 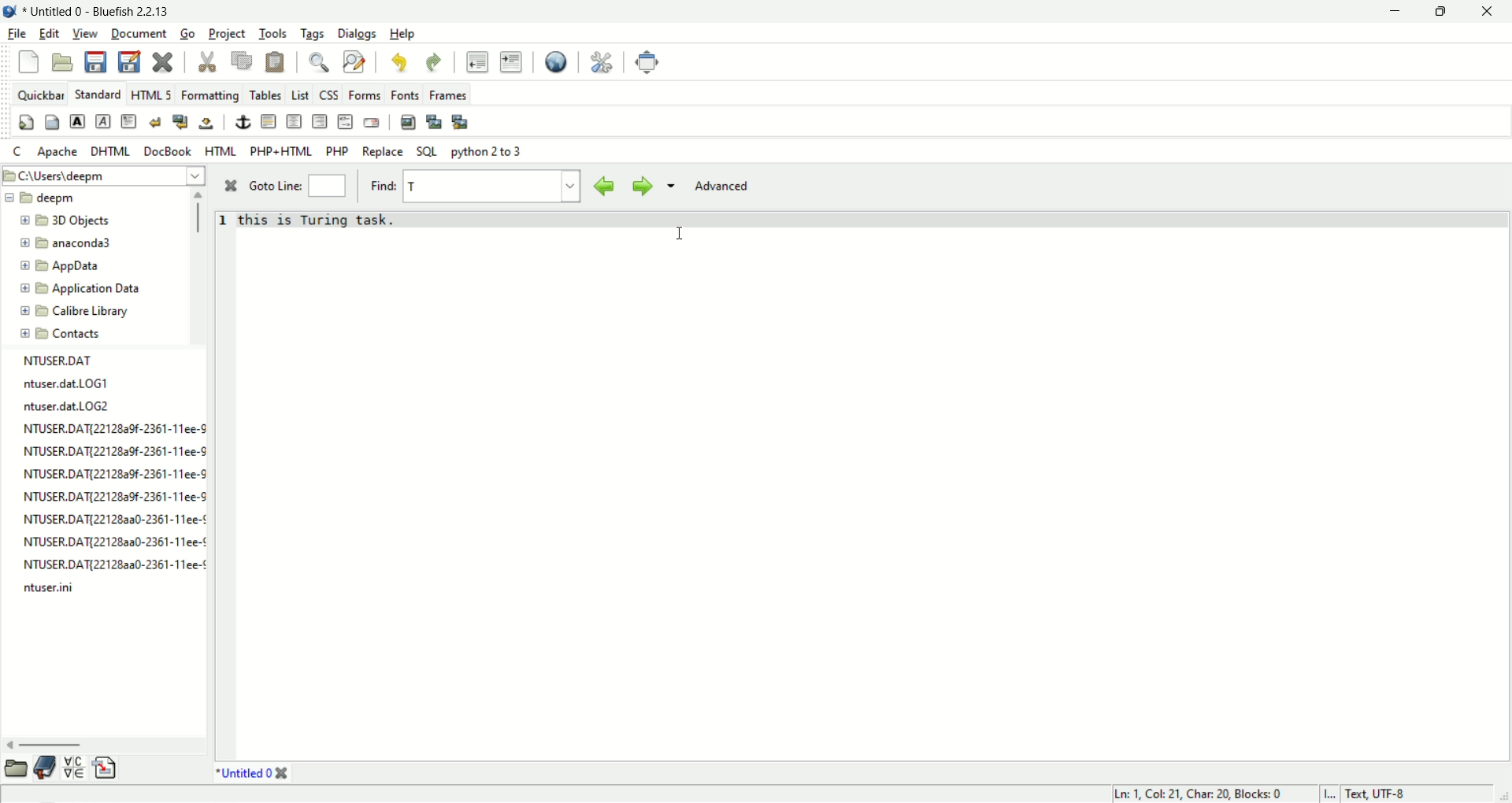 What do you see at coordinates (489, 152) in the screenshot?
I see `python 2 to 3` at bounding box center [489, 152].